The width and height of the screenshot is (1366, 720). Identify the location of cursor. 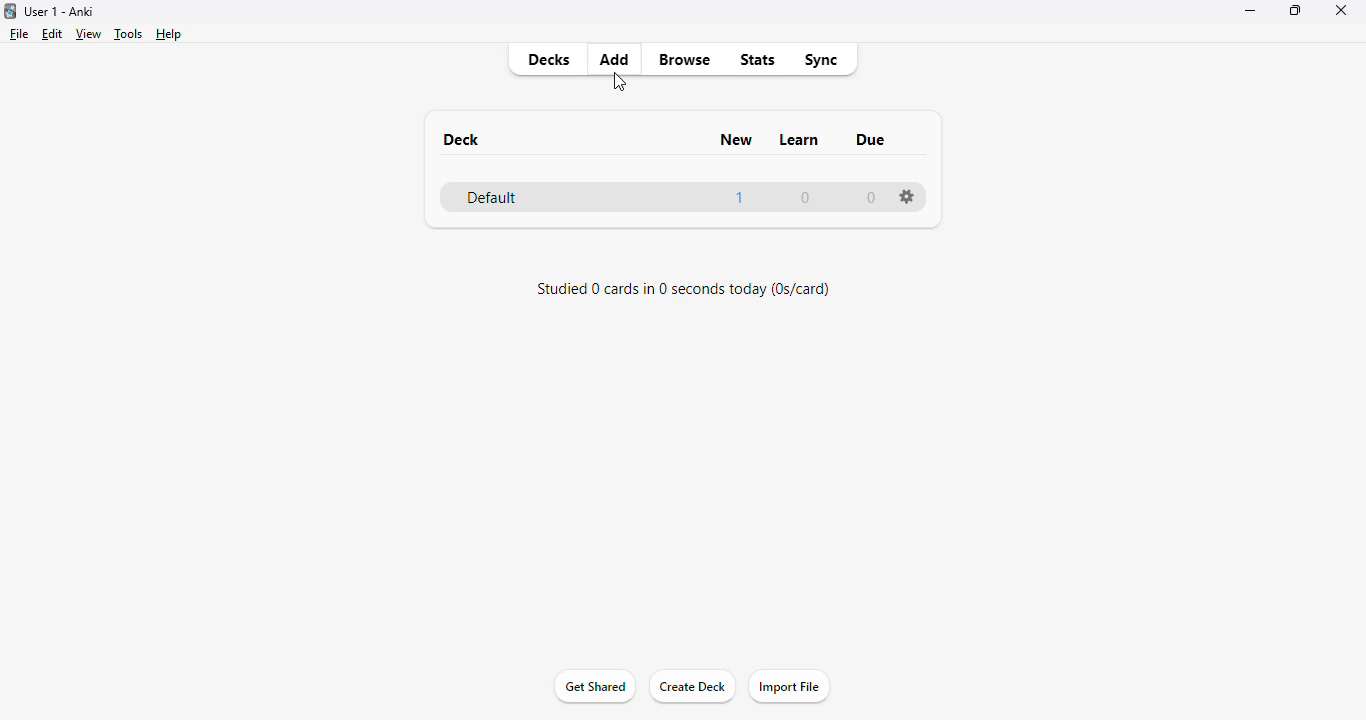
(619, 82).